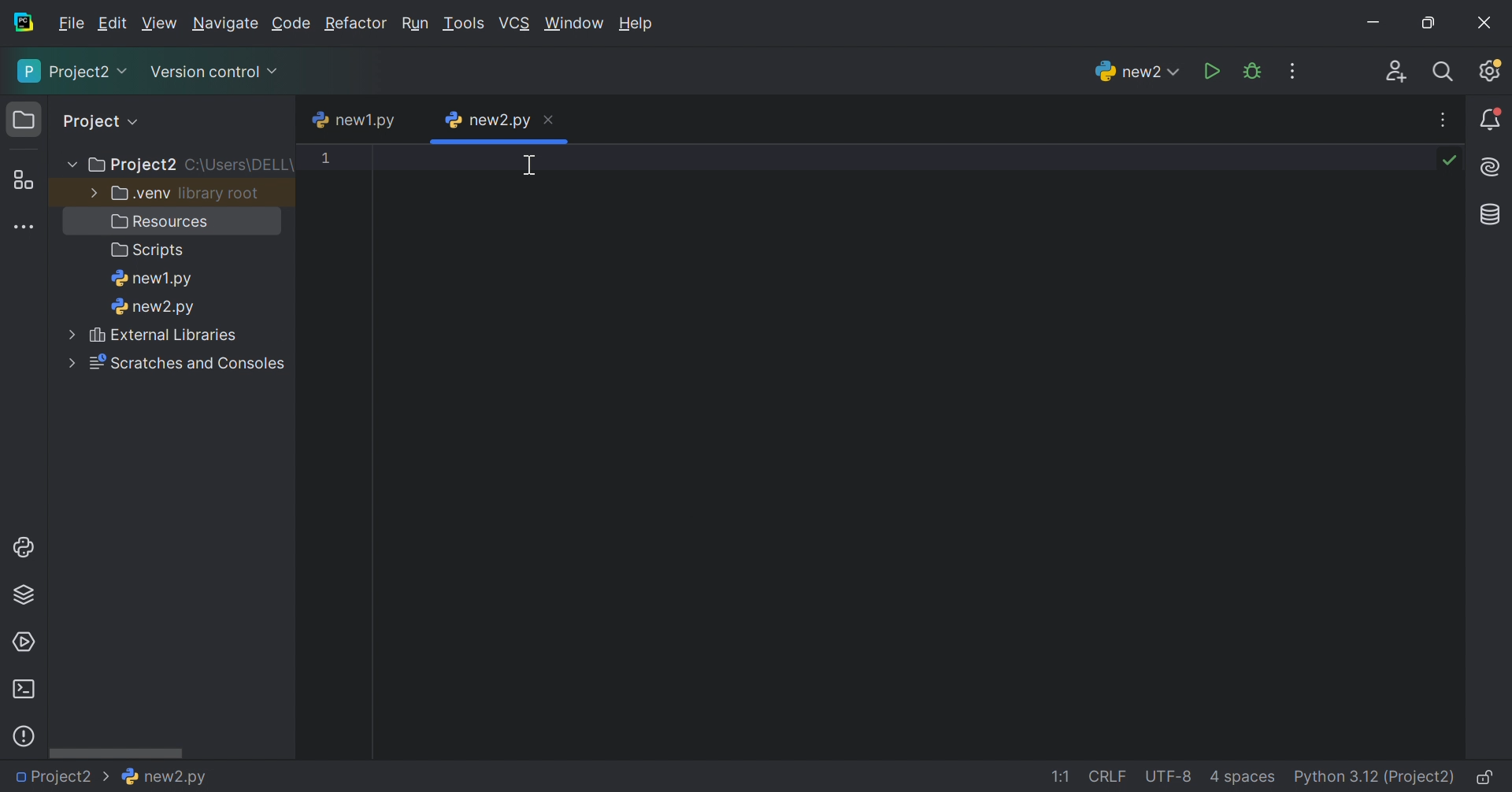 Image resolution: width=1512 pixels, height=792 pixels. I want to click on C:\Users\DELL\, so click(241, 165).